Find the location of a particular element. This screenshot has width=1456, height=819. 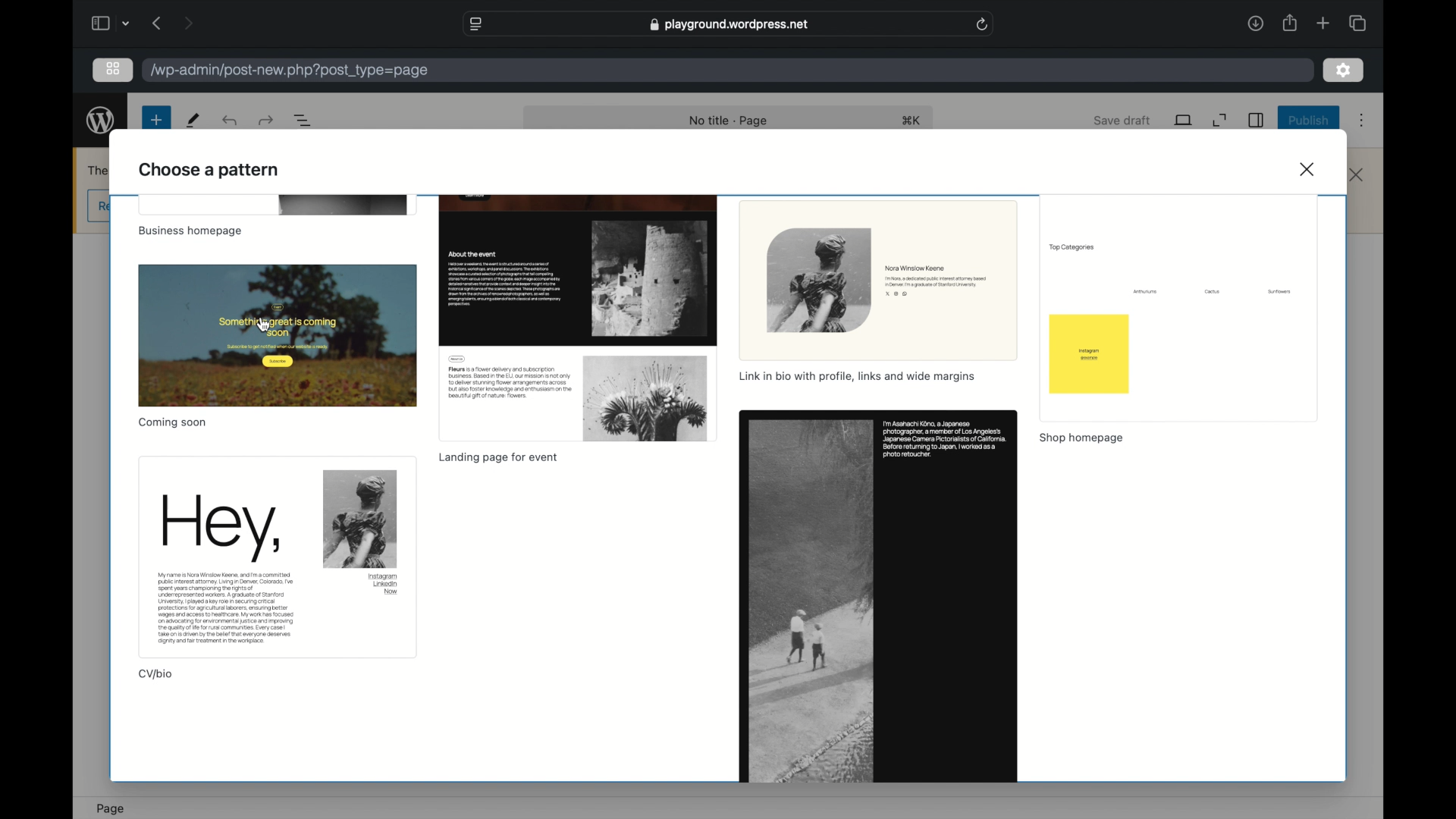

preview is located at coordinates (278, 334).